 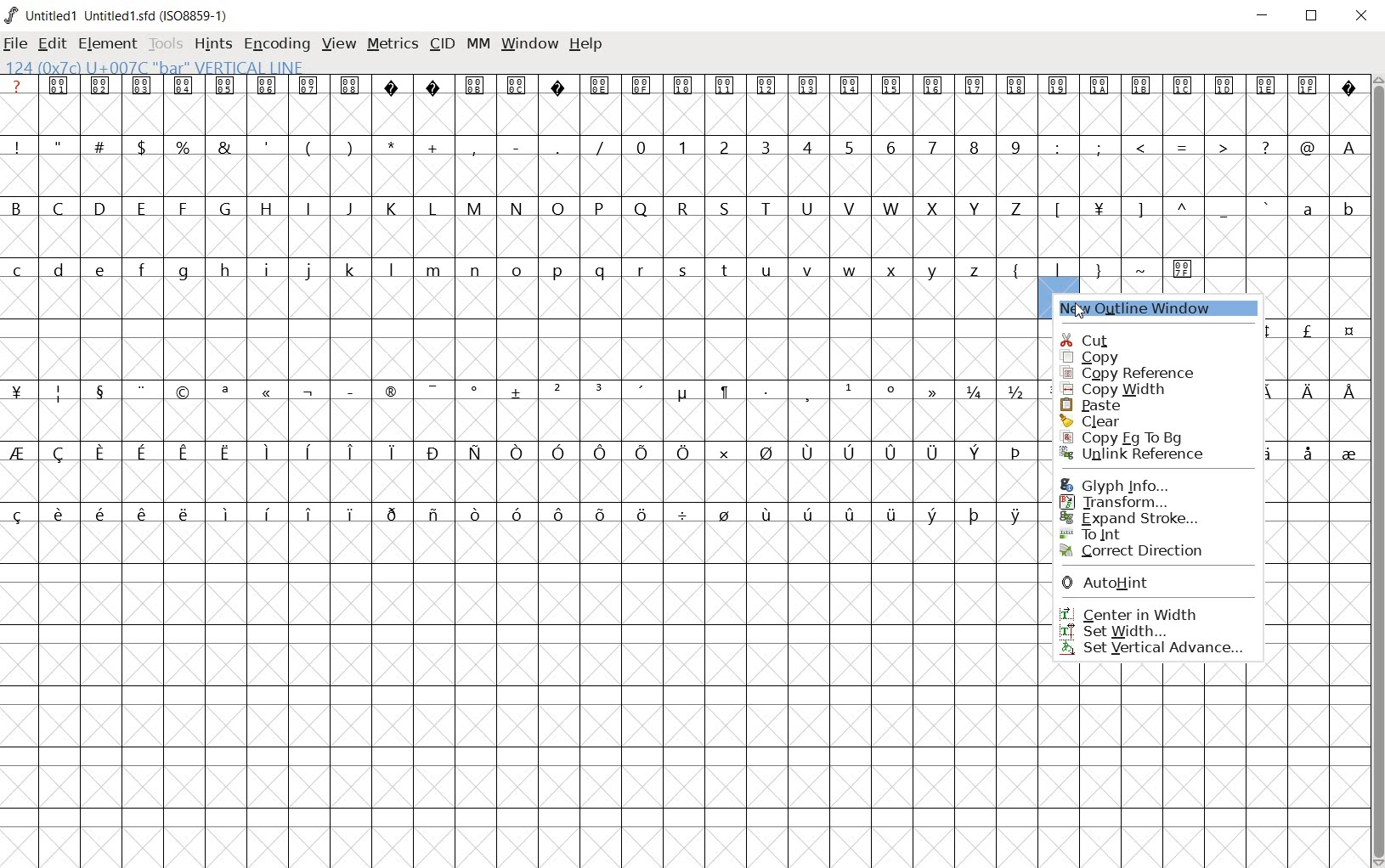 I want to click on help, so click(x=587, y=45).